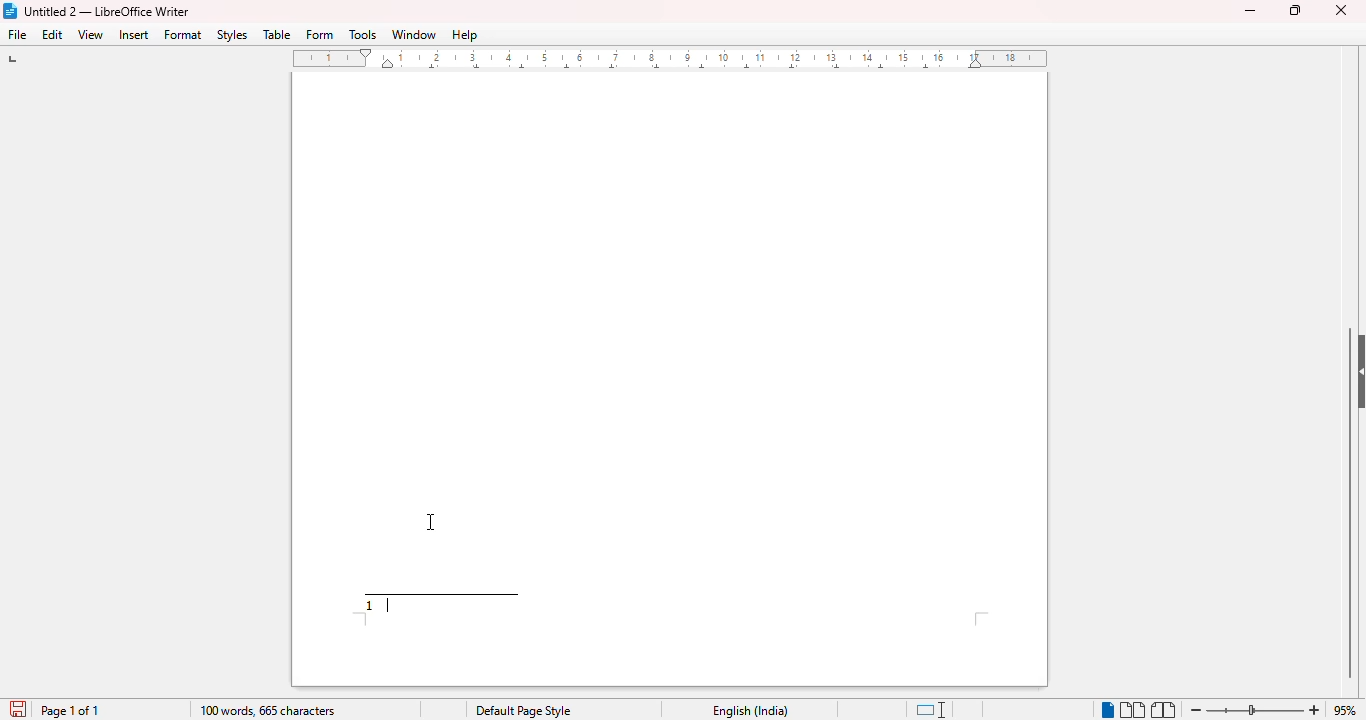 This screenshot has width=1366, height=720. I want to click on window, so click(414, 34).